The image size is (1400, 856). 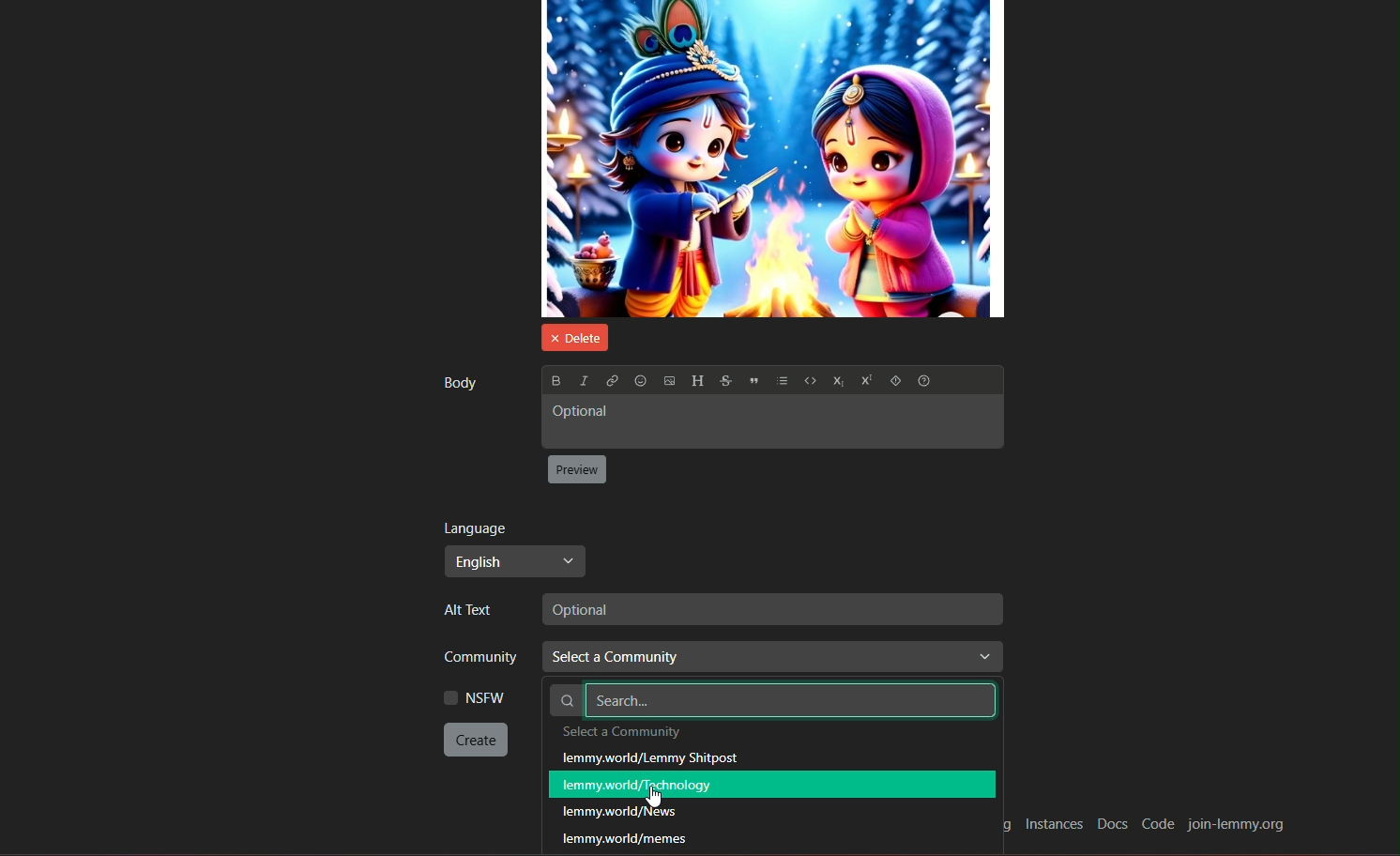 I want to click on Community, so click(x=474, y=659).